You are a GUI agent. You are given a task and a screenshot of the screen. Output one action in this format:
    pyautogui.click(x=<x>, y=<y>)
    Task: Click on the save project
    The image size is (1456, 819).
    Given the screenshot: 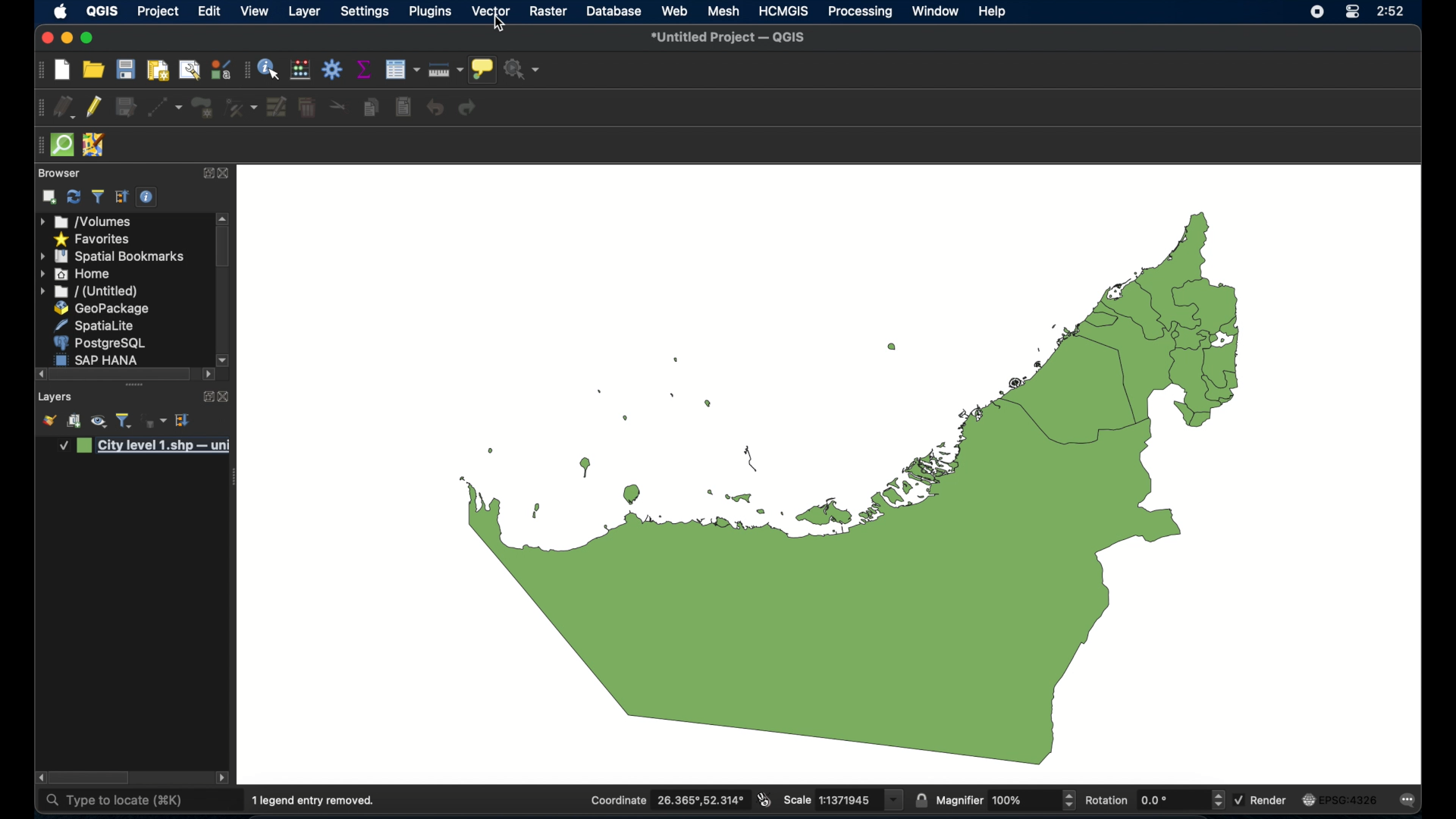 What is the action you would take?
    pyautogui.click(x=127, y=70)
    